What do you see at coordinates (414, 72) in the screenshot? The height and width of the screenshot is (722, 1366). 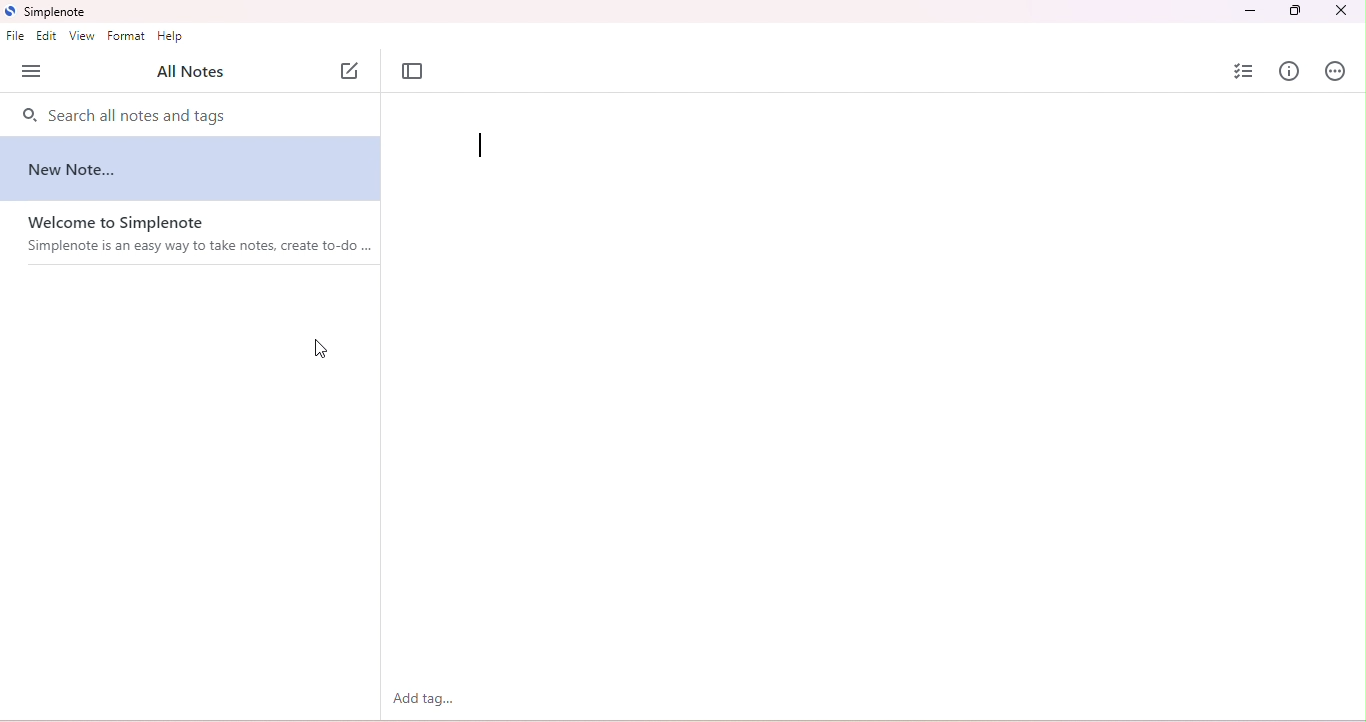 I see `toggle focus mode` at bounding box center [414, 72].